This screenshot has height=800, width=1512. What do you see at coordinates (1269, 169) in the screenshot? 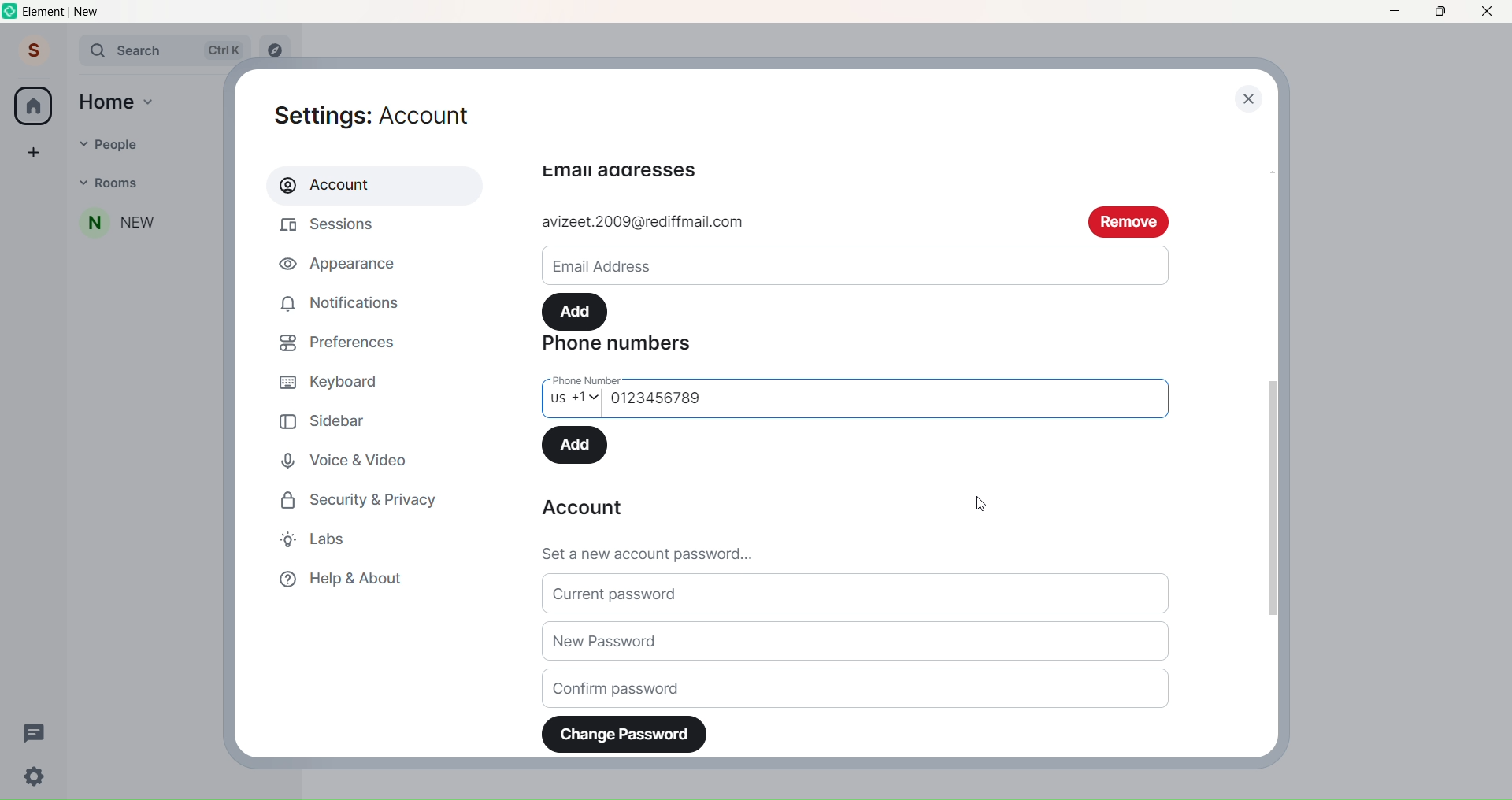
I see `Scroll bar up` at bounding box center [1269, 169].